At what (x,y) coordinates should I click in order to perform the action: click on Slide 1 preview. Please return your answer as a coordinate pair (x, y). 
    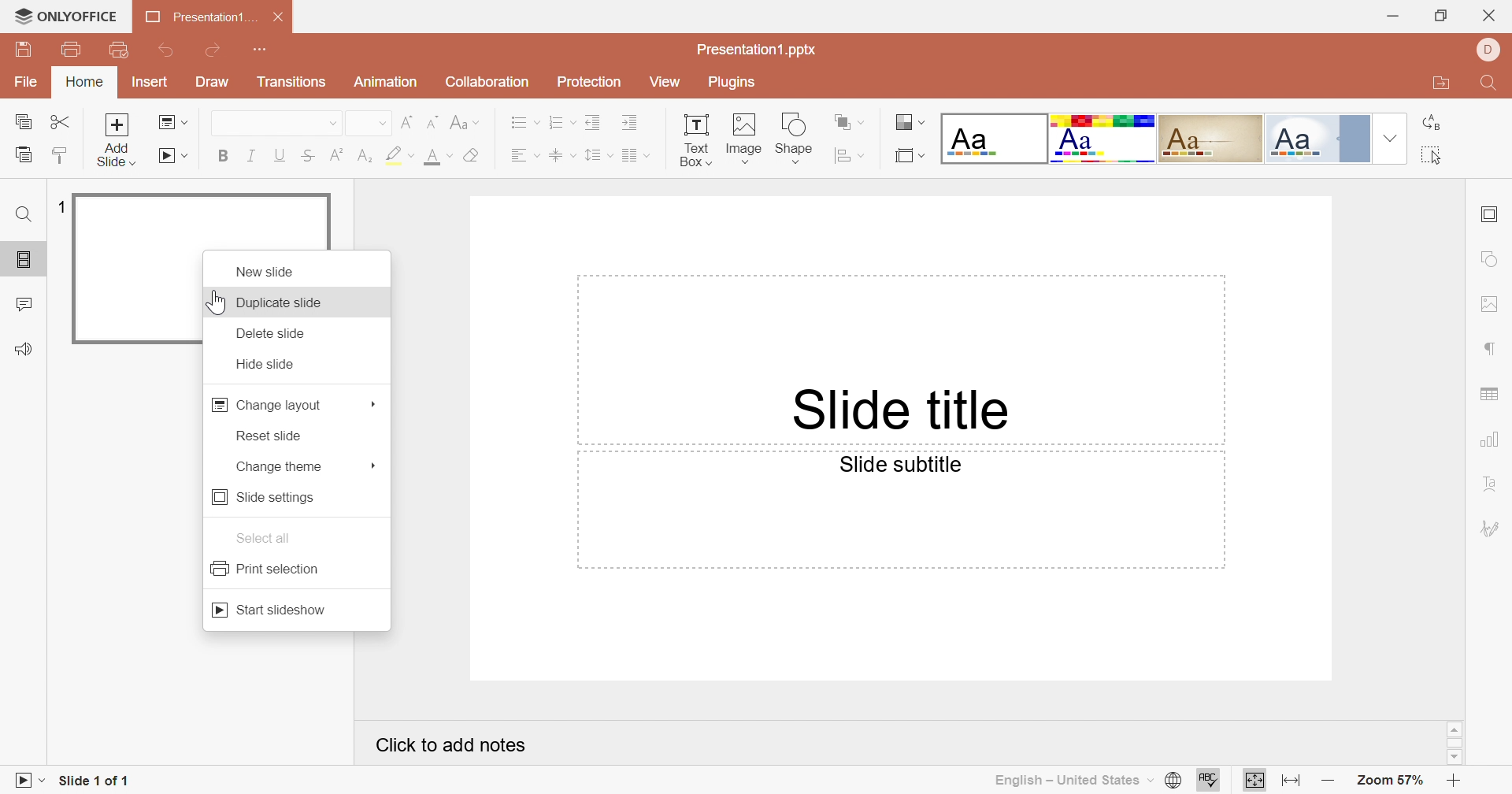
    Looking at the image, I should click on (130, 268).